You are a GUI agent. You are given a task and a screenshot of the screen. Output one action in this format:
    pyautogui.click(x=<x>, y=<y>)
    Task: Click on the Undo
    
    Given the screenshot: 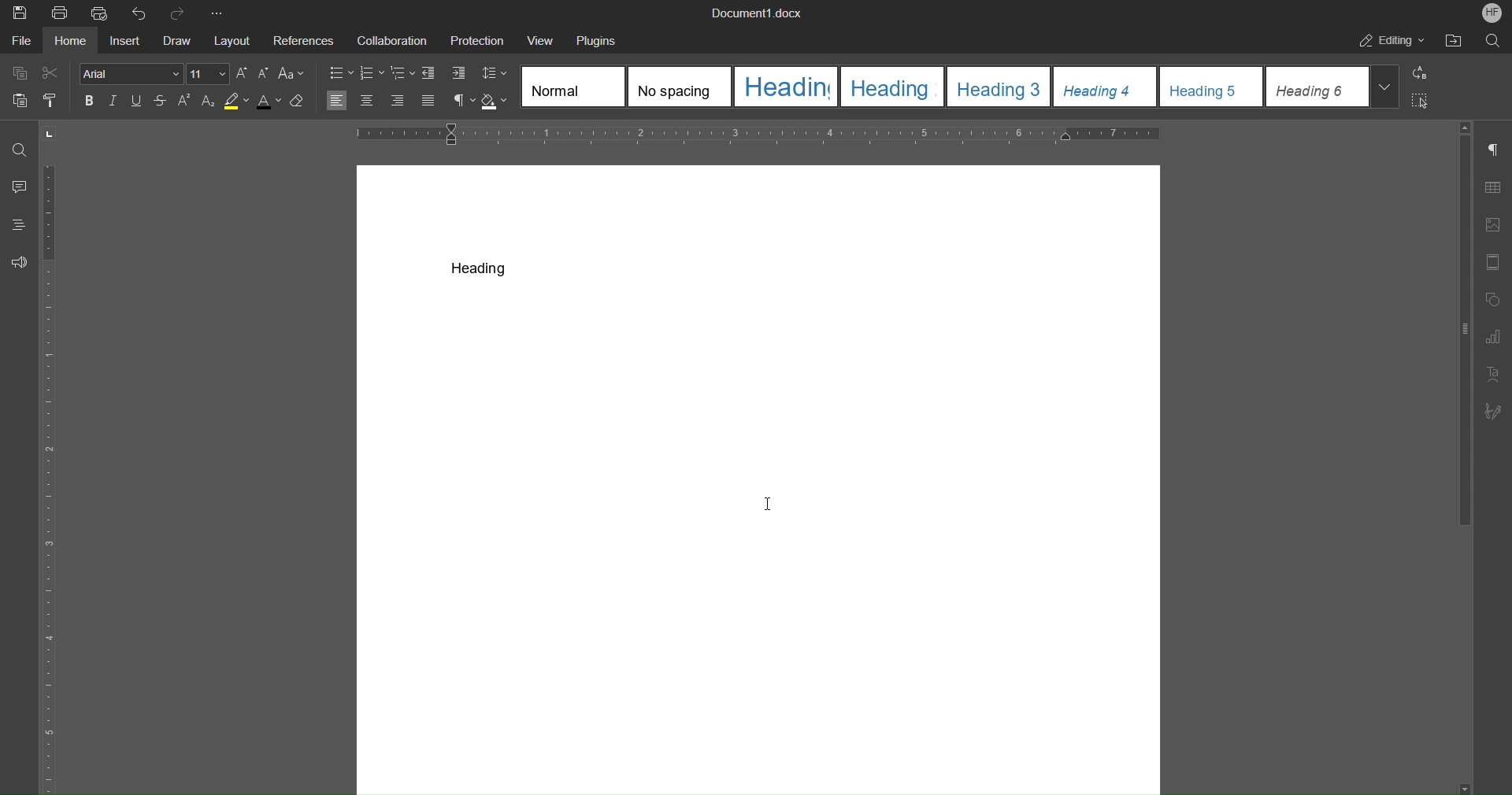 What is the action you would take?
    pyautogui.click(x=140, y=12)
    